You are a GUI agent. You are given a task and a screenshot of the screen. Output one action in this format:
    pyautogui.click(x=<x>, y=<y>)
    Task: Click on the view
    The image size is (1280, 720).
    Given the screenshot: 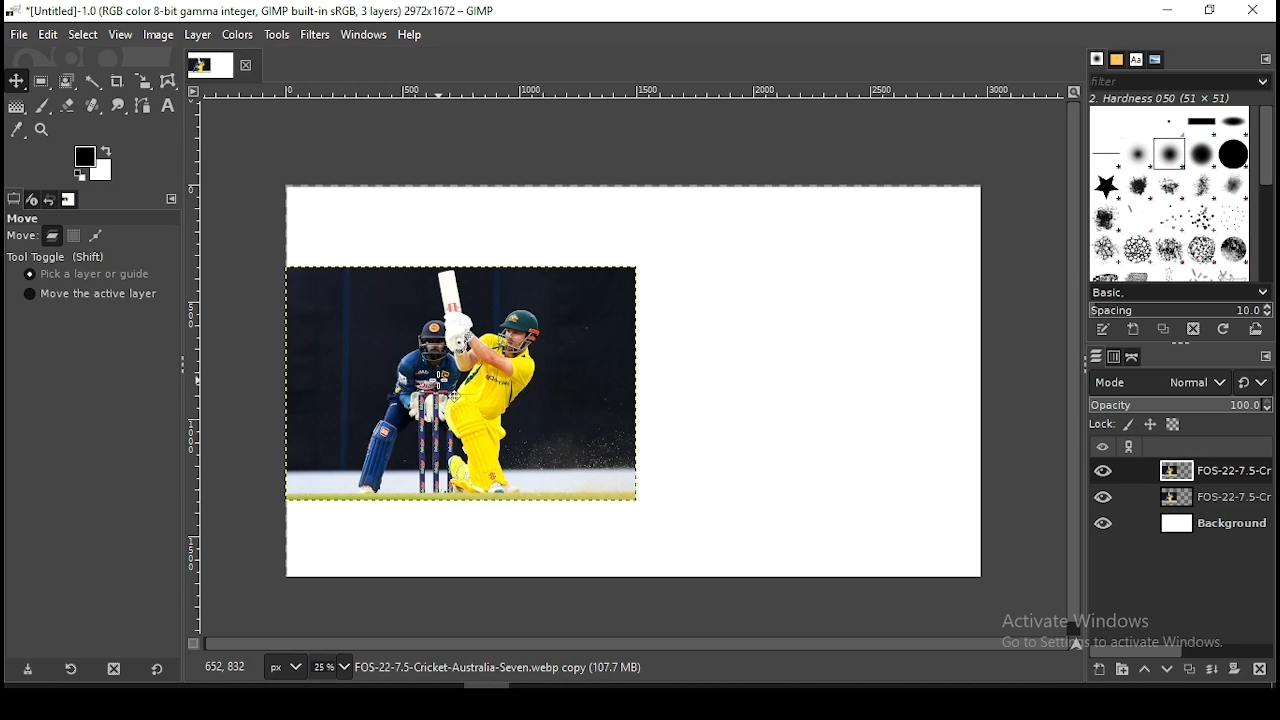 What is the action you would take?
    pyautogui.click(x=119, y=34)
    